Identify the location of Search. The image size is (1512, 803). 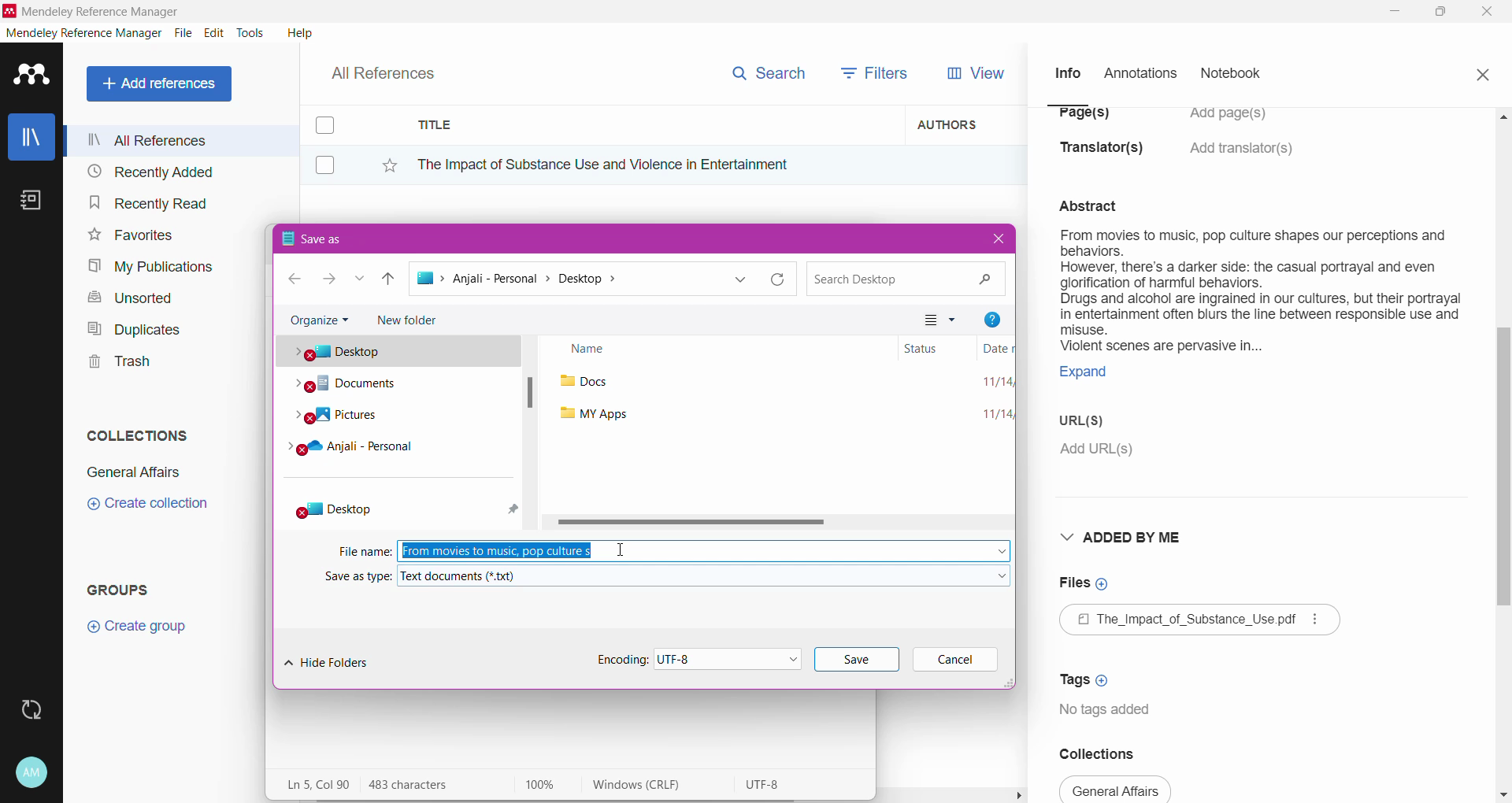
(768, 70).